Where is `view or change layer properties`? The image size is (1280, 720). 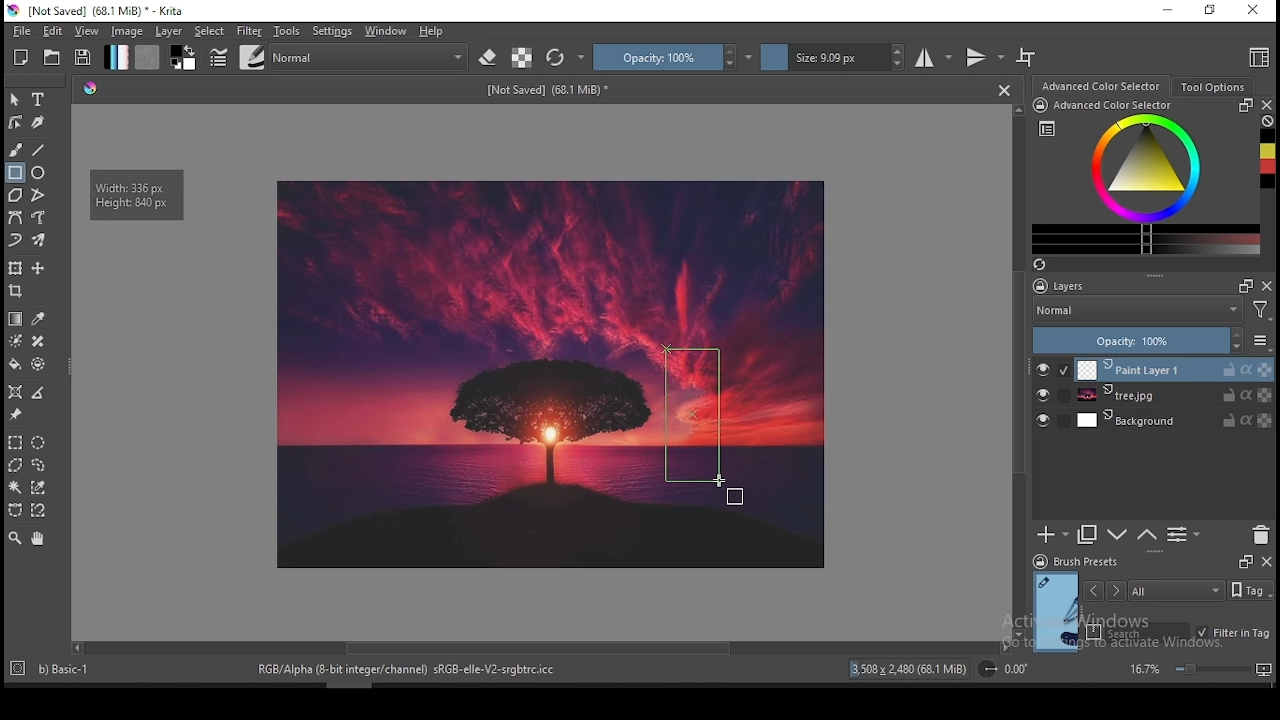
view or change layer properties is located at coordinates (1184, 535).